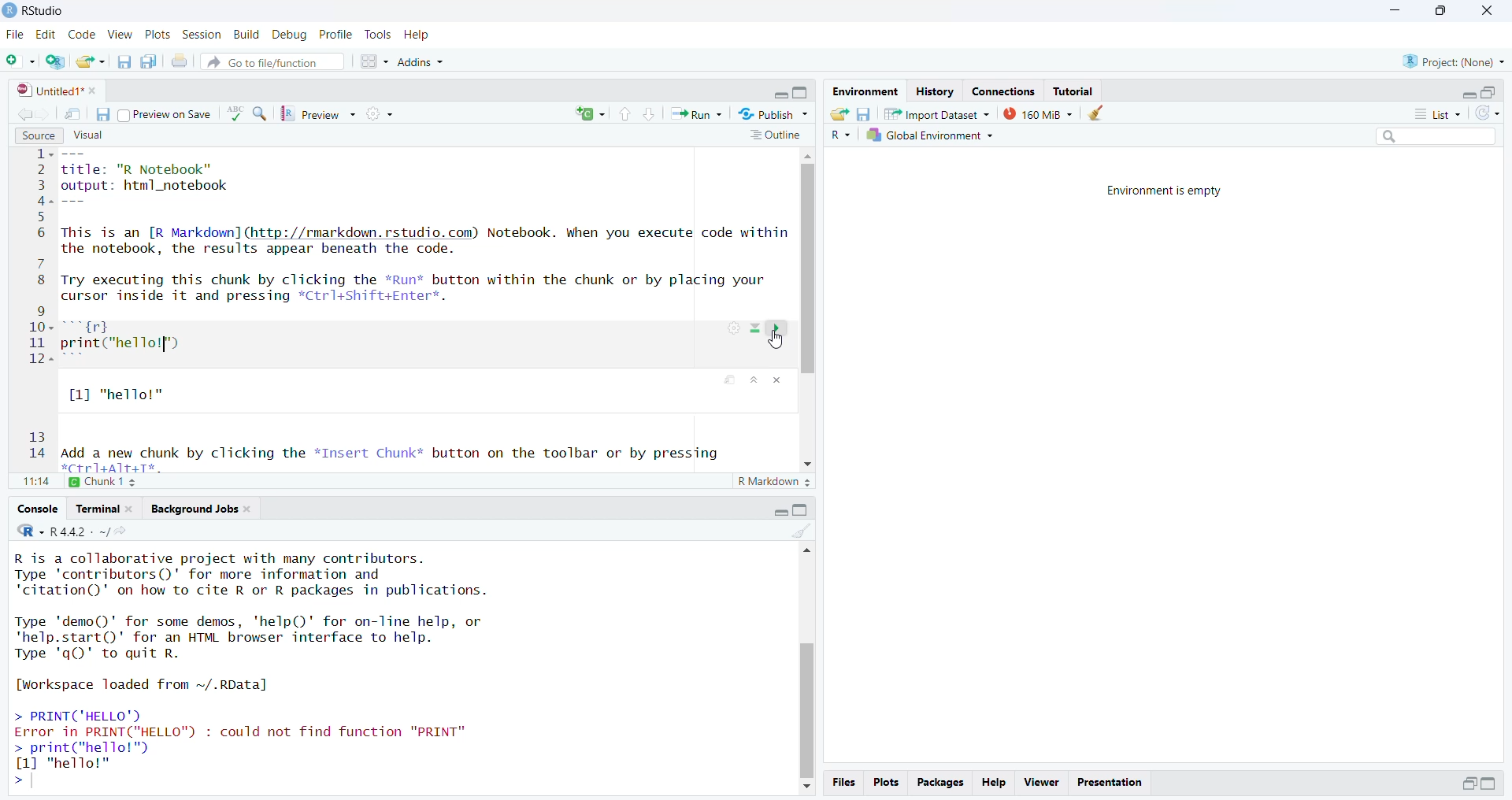  Describe the element at coordinates (1395, 12) in the screenshot. I see `minimize` at that location.